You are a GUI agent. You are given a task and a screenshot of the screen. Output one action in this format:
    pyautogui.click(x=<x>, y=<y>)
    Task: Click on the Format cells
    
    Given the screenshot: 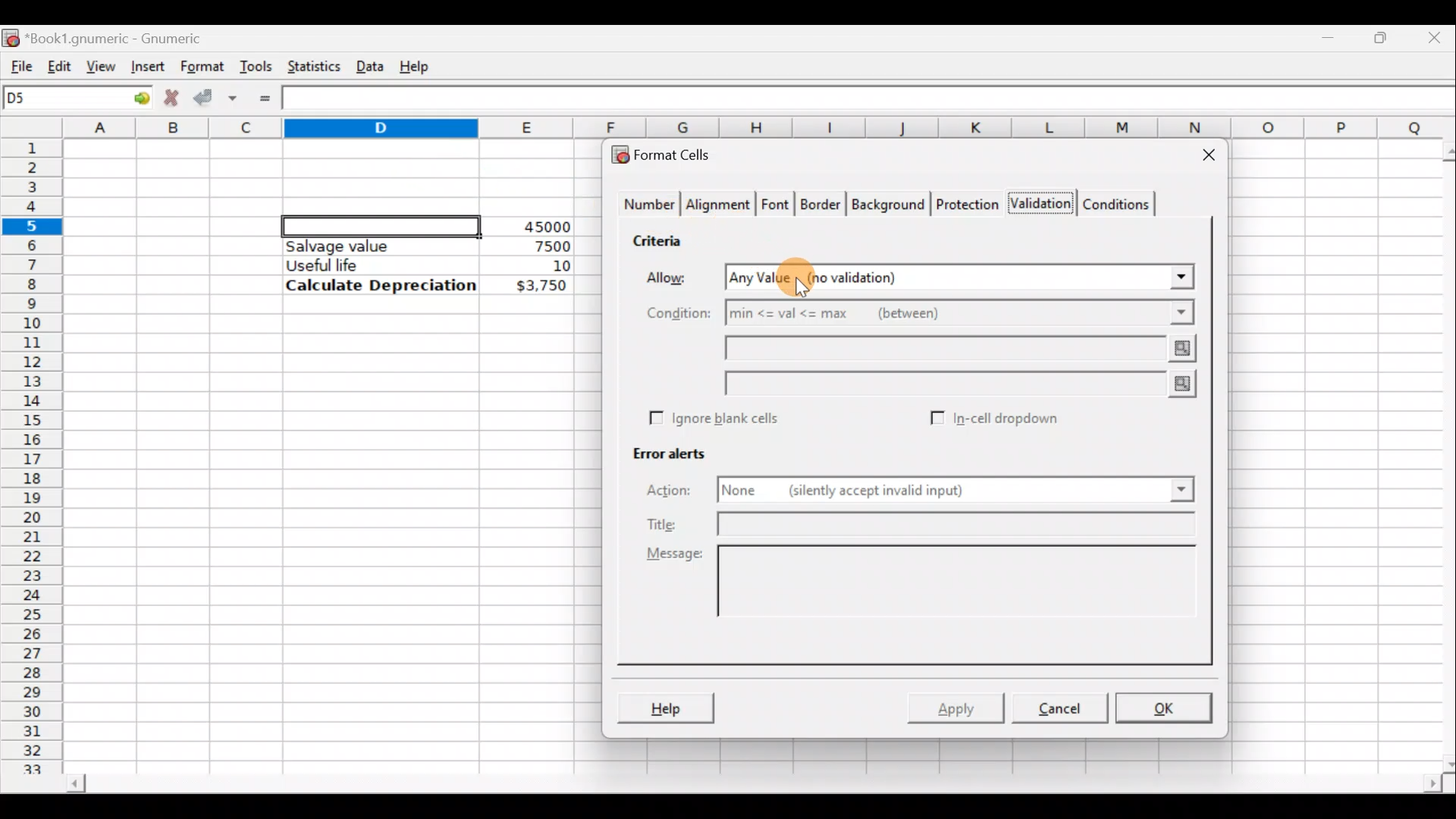 What is the action you would take?
    pyautogui.click(x=670, y=155)
    